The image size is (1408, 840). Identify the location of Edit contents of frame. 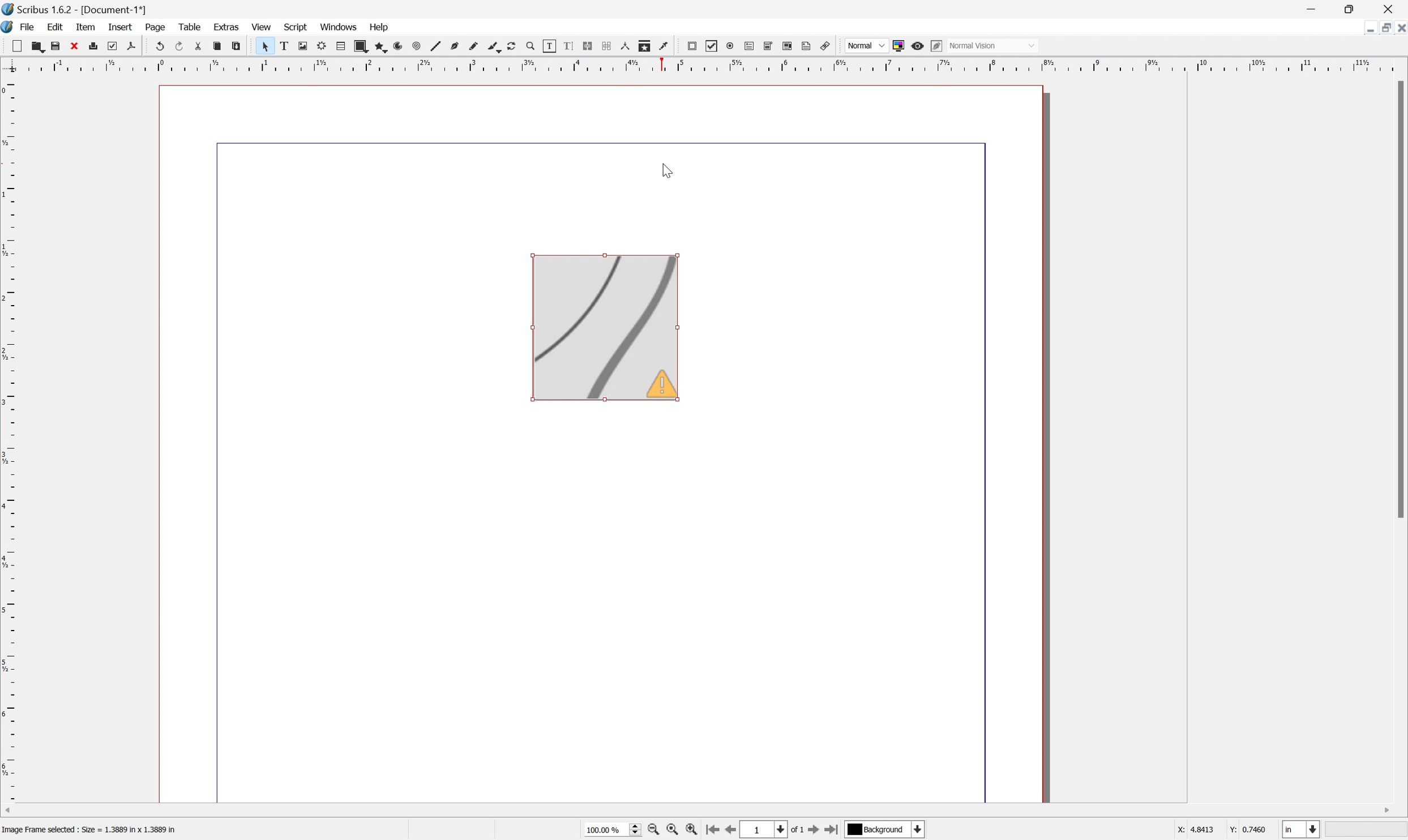
(550, 45).